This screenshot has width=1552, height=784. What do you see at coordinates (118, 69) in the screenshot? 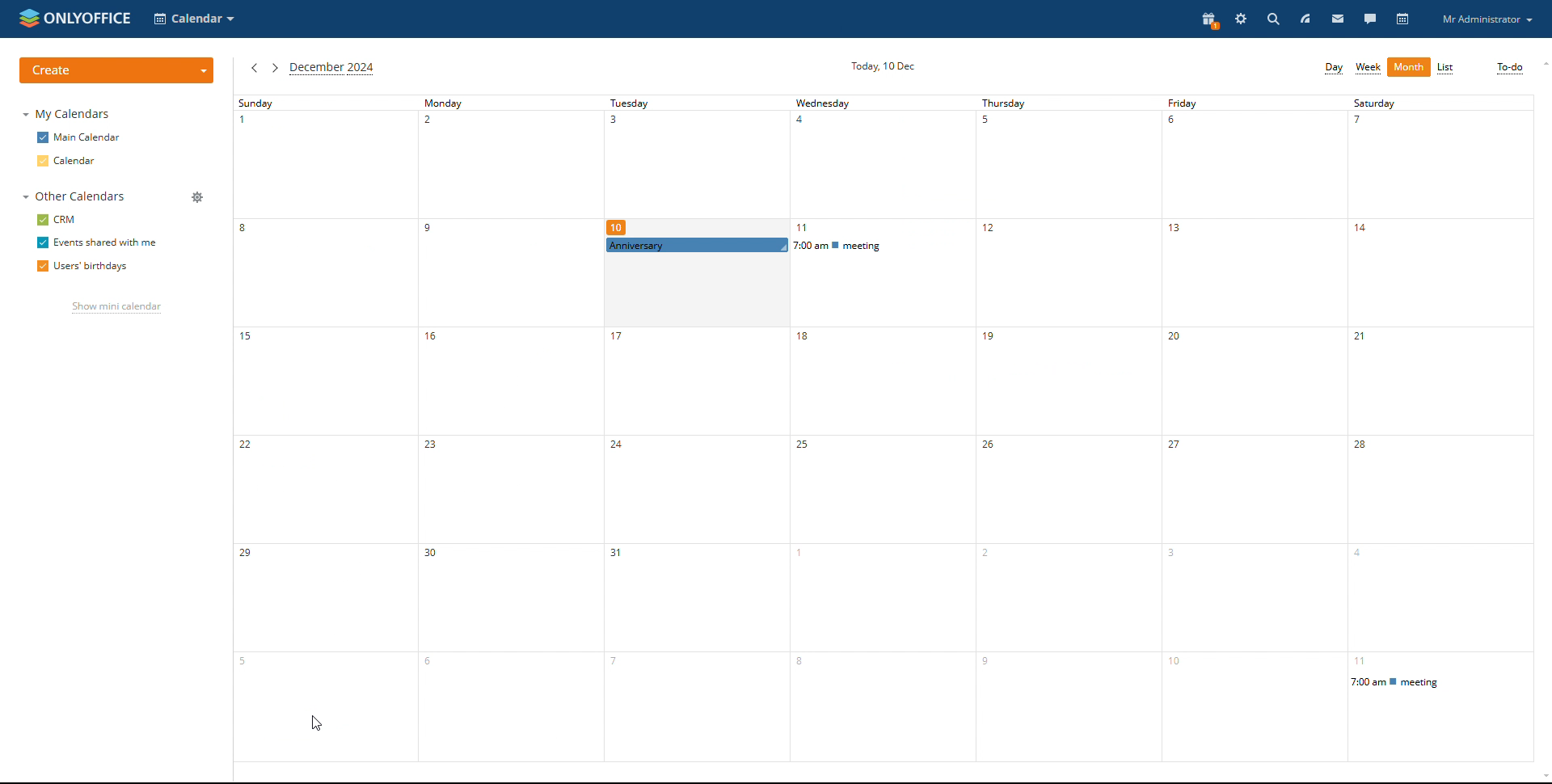
I see `create` at bounding box center [118, 69].